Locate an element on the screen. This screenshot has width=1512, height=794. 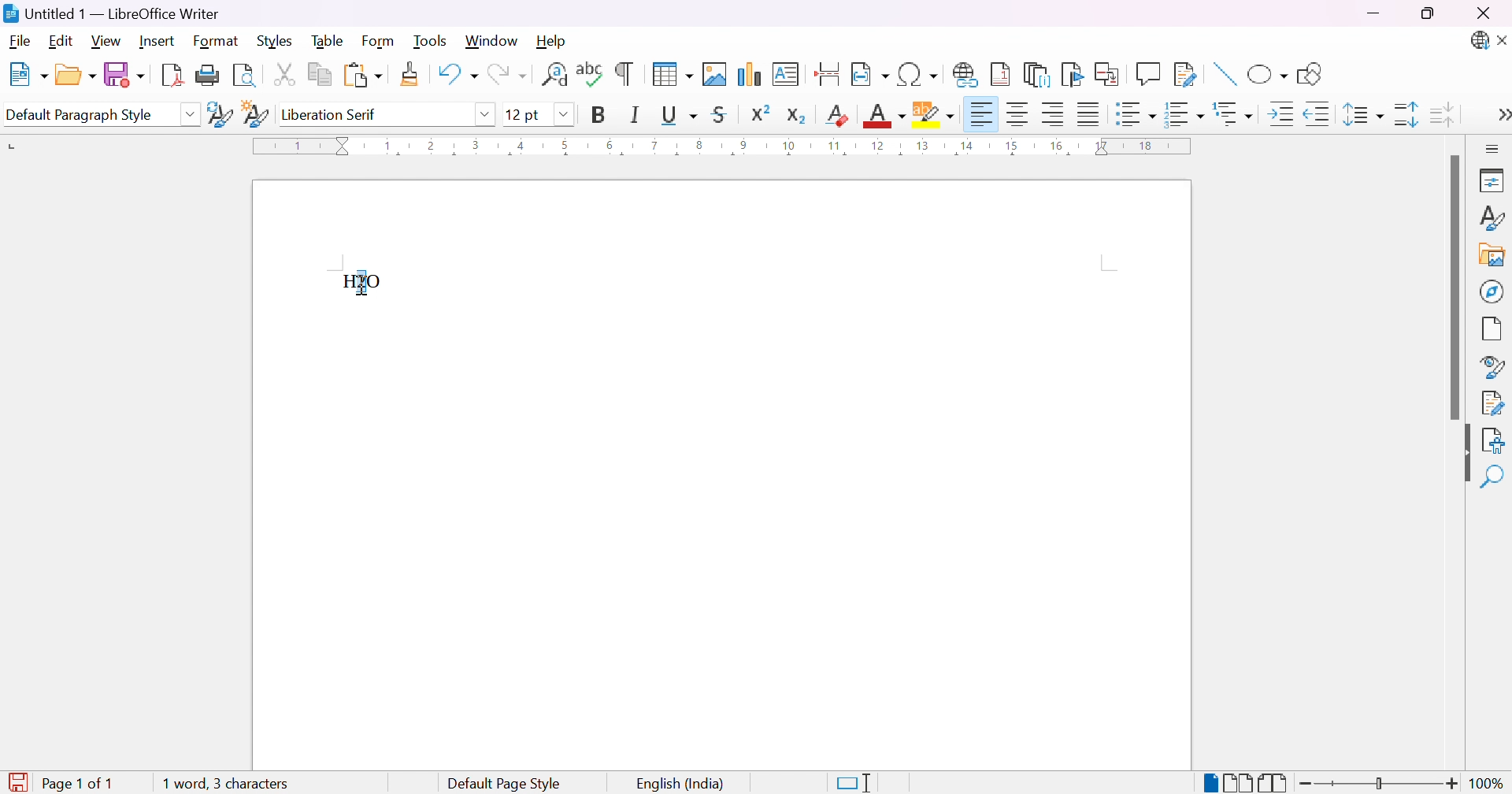
Align left is located at coordinates (981, 116).